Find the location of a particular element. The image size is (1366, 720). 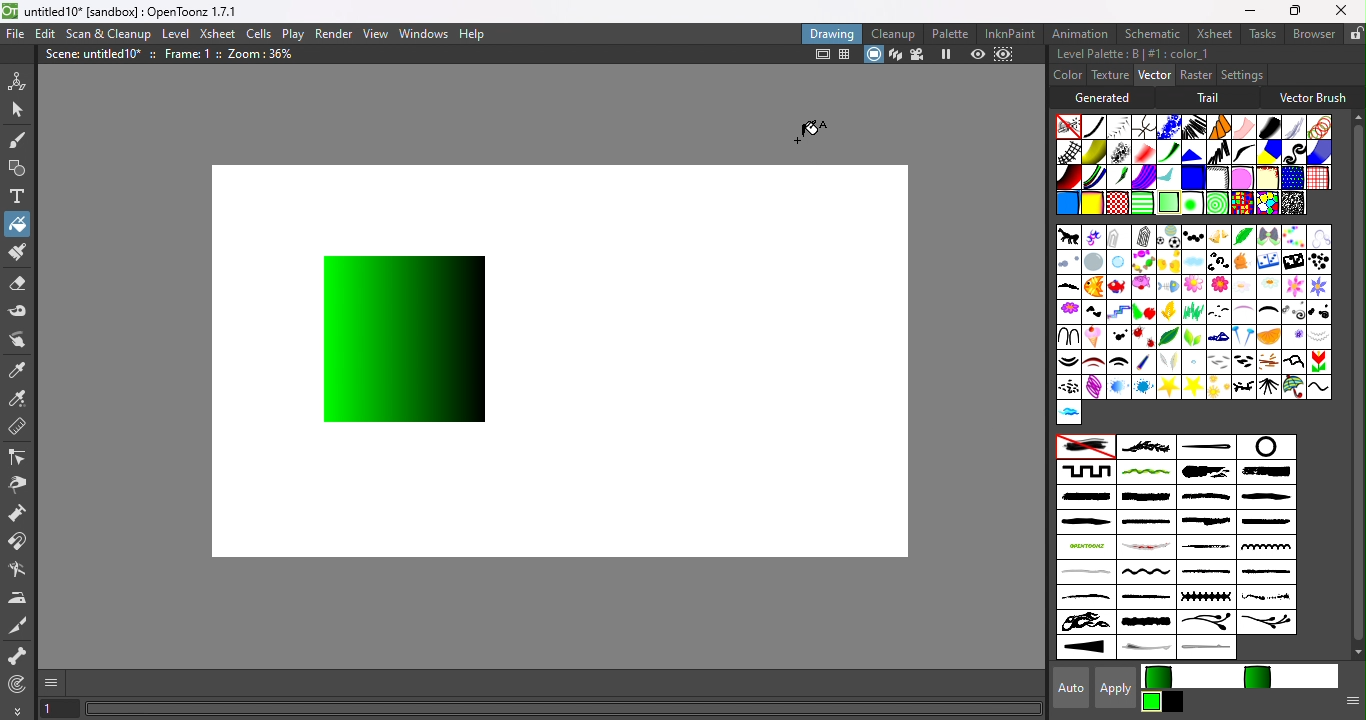

small_brush4 is located at coordinates (1149, 598).